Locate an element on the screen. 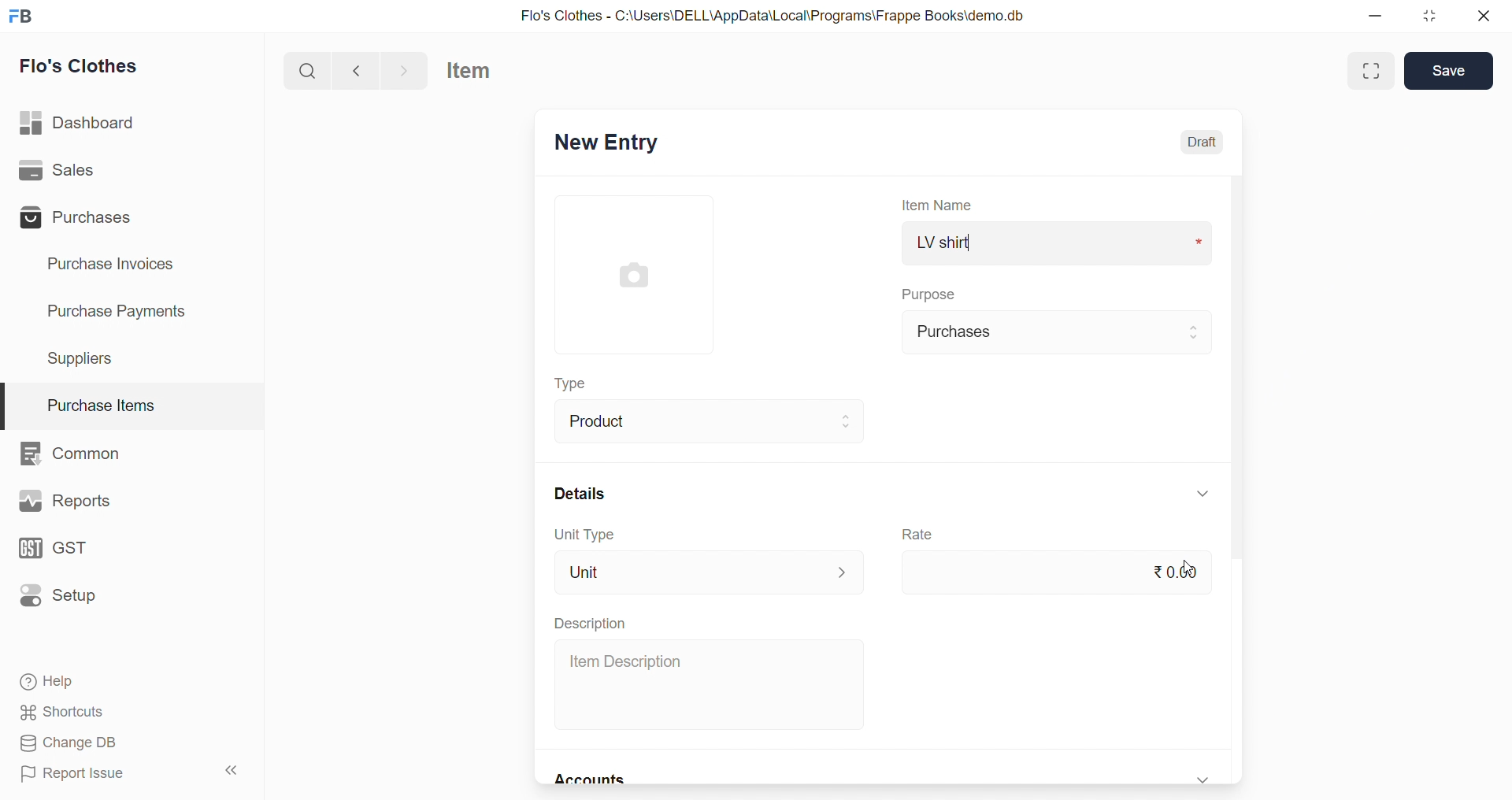 Image resolution: width=1512 pixels, height=800 pixels. Flo's Clothes is located at coordinates (88, 66).